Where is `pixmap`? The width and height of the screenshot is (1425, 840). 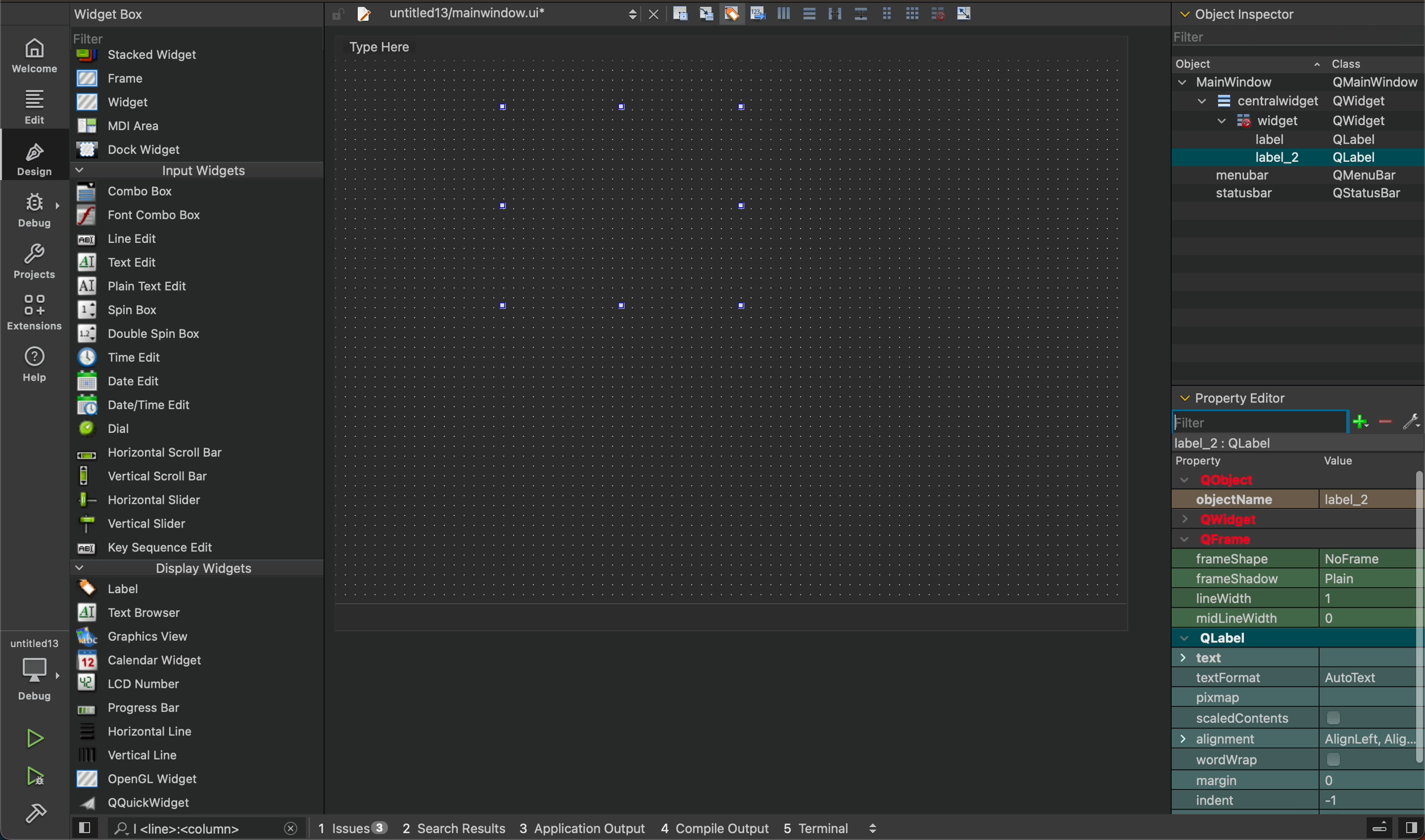 pixmap is located at coordinates (1299, 698).